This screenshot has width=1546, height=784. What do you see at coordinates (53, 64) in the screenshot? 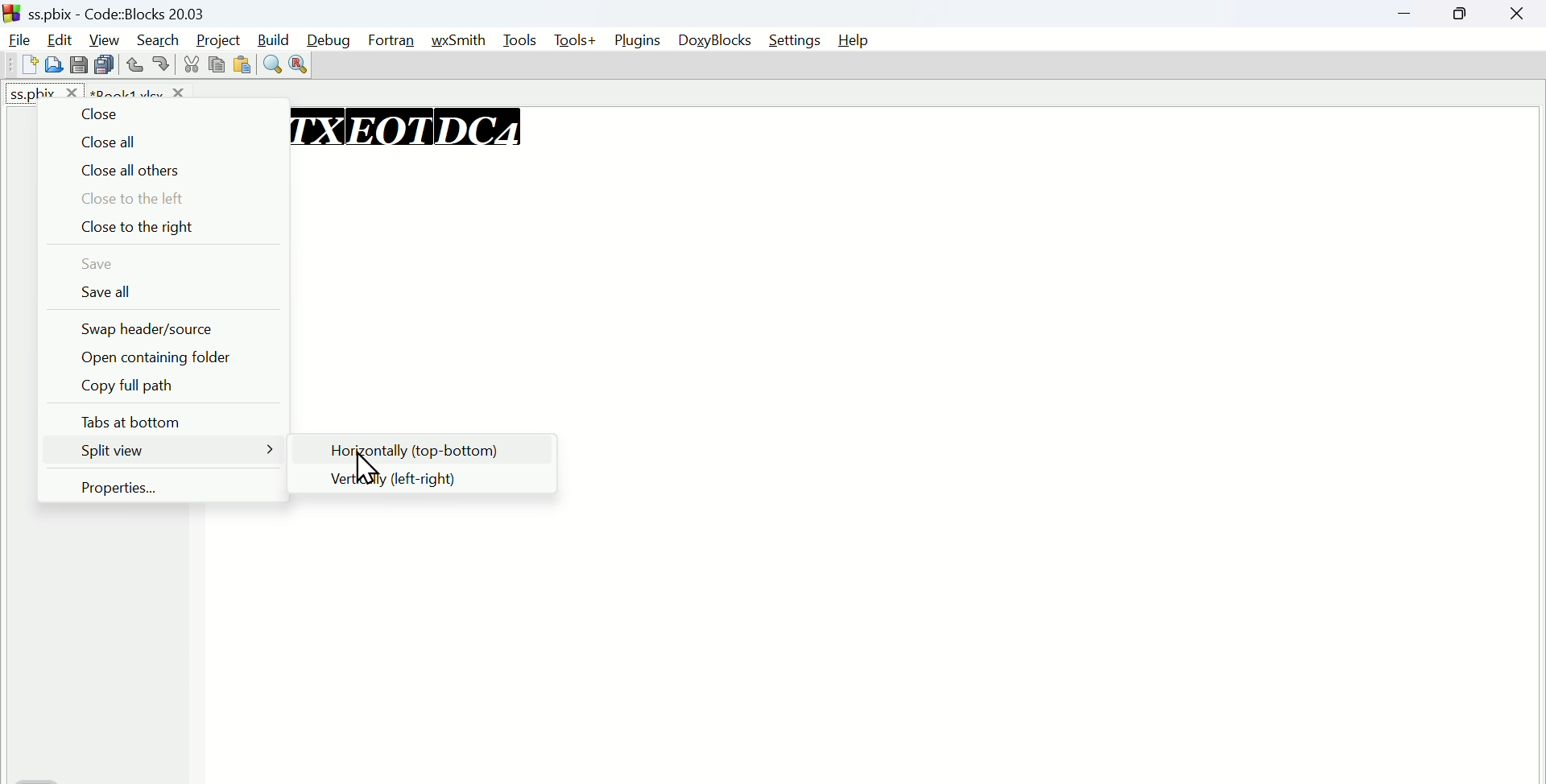
I see `Open` at bounding box center [53, 64].